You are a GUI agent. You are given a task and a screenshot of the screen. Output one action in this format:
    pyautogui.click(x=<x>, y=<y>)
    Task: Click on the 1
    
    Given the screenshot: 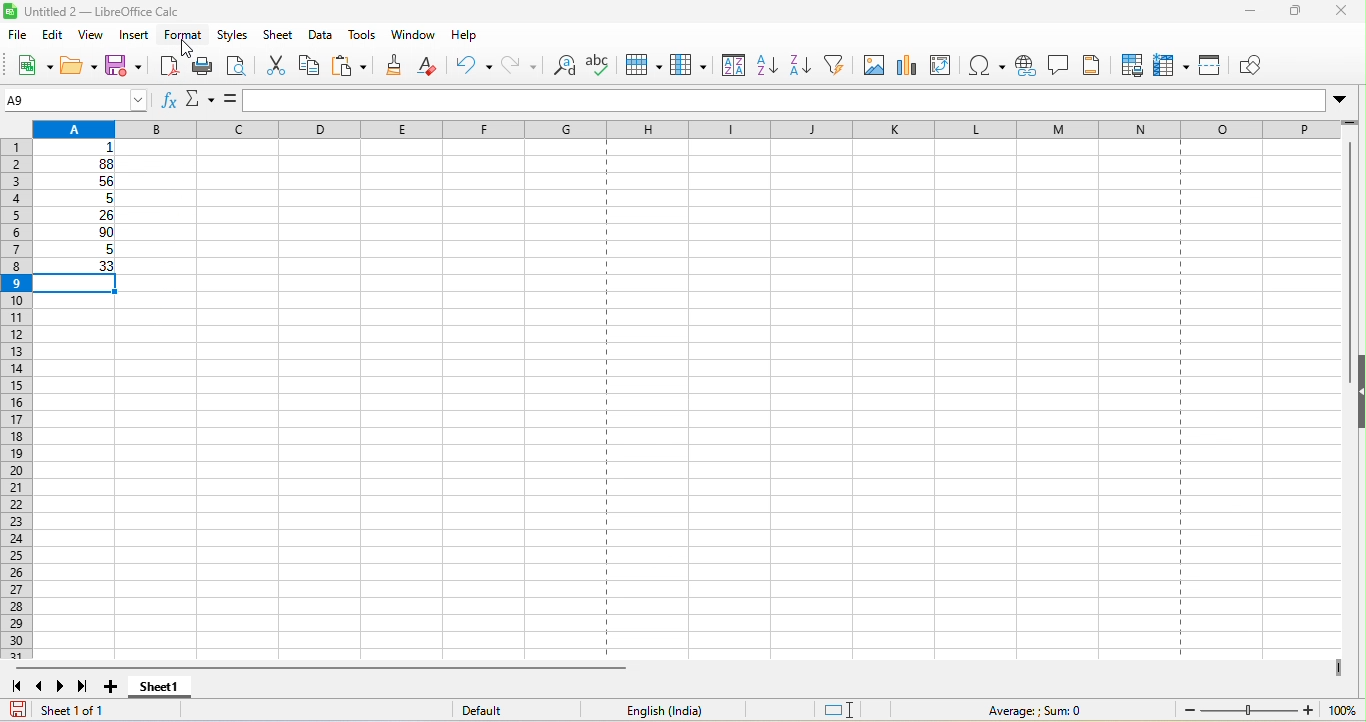 What is the action you would take?
    pyautogui.click(x=82, y=148)
    